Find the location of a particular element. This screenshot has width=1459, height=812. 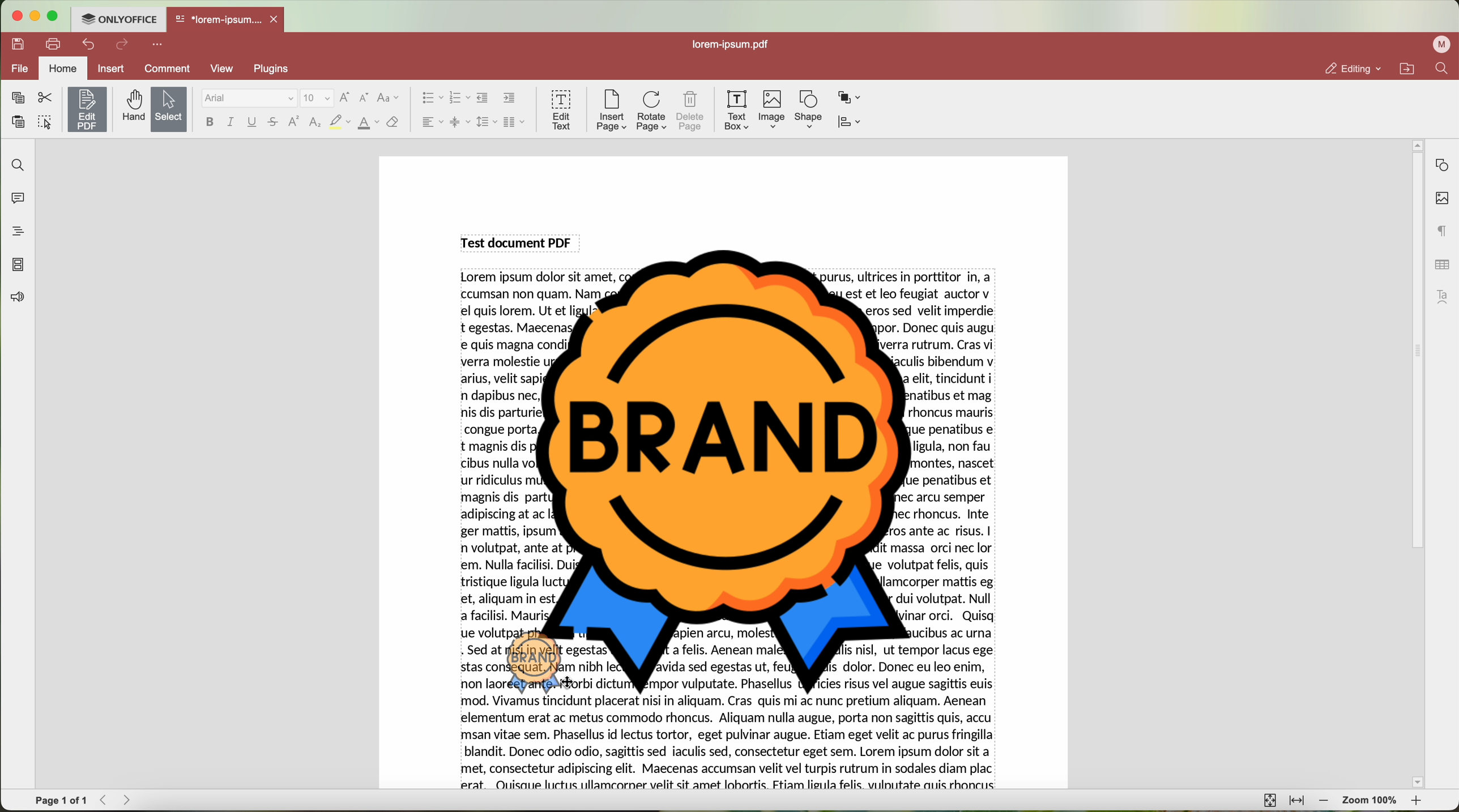

paragraph settings is located at coordinates (1443, 230).